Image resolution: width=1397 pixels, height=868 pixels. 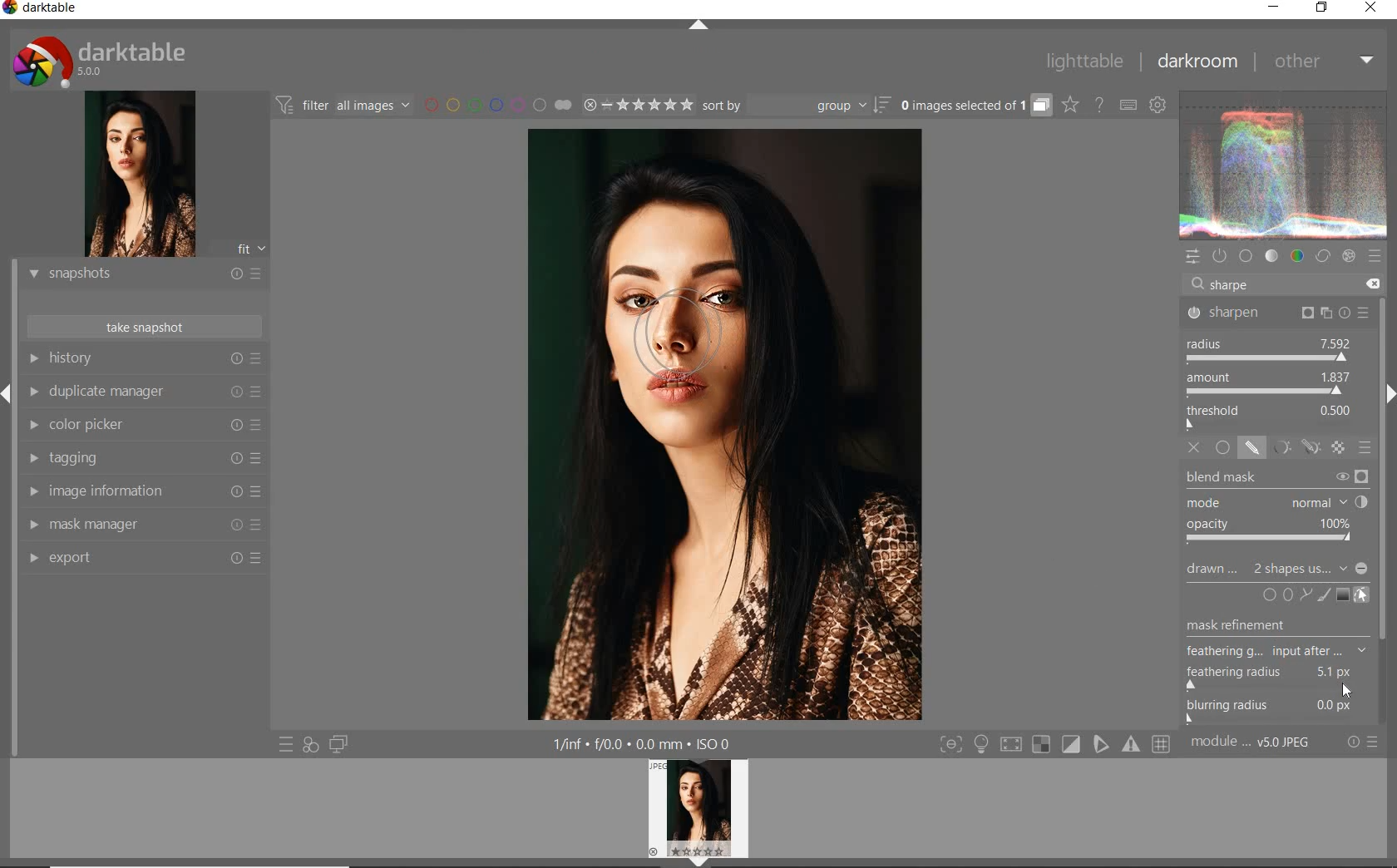 What do you see at coordinates (1277, 634) in the screenshot?
I see `ADD ELLIPSE` at bounding box center [1277, 634].